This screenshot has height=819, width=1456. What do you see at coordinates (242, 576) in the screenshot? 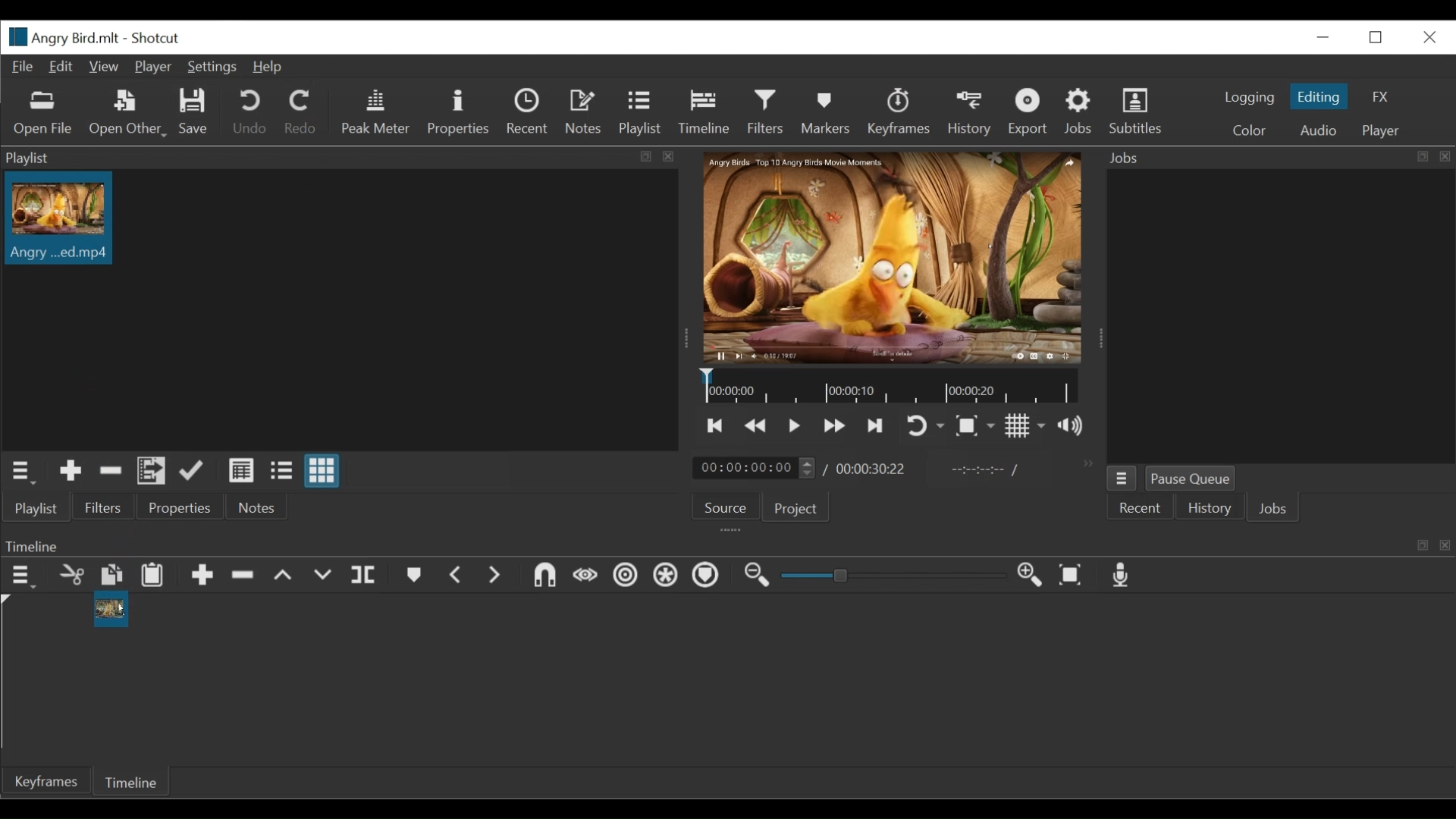
I see `Ripple Delete` at bounding box center [242, 576].